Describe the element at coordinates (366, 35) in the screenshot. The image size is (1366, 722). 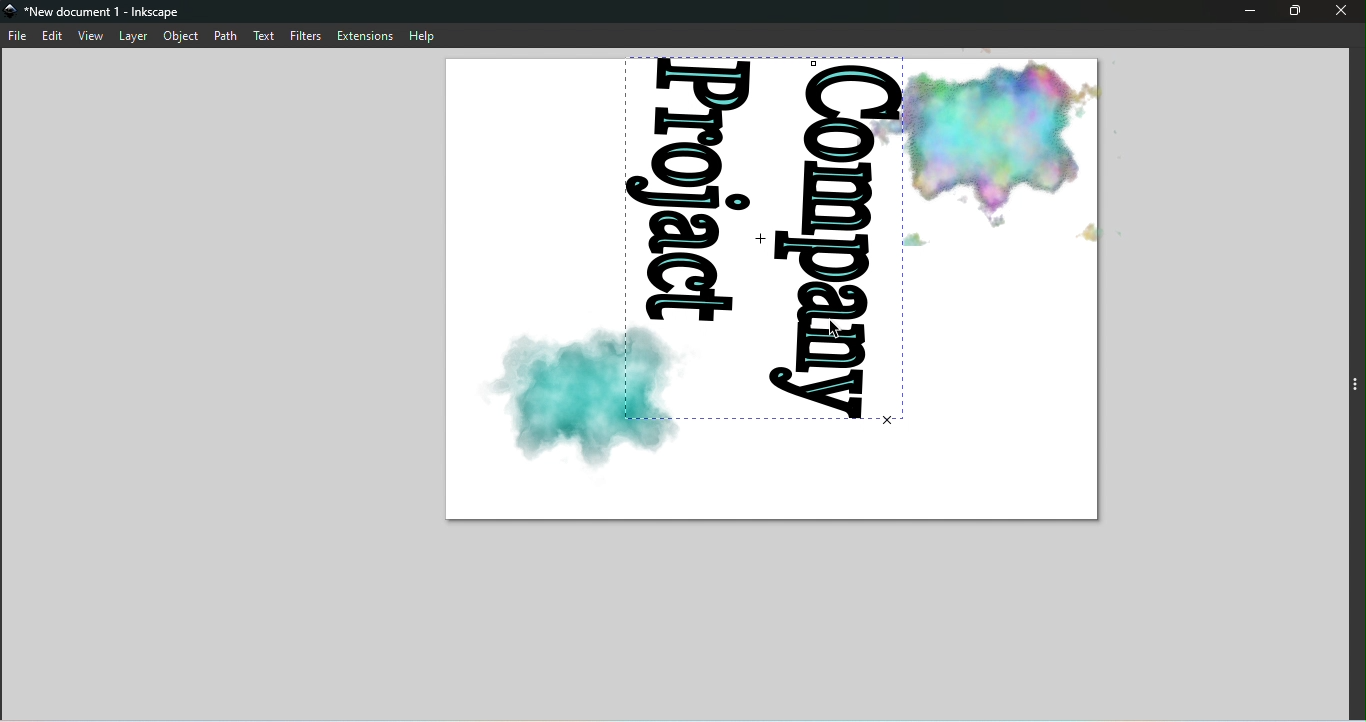
I see `Extensions` at that location.